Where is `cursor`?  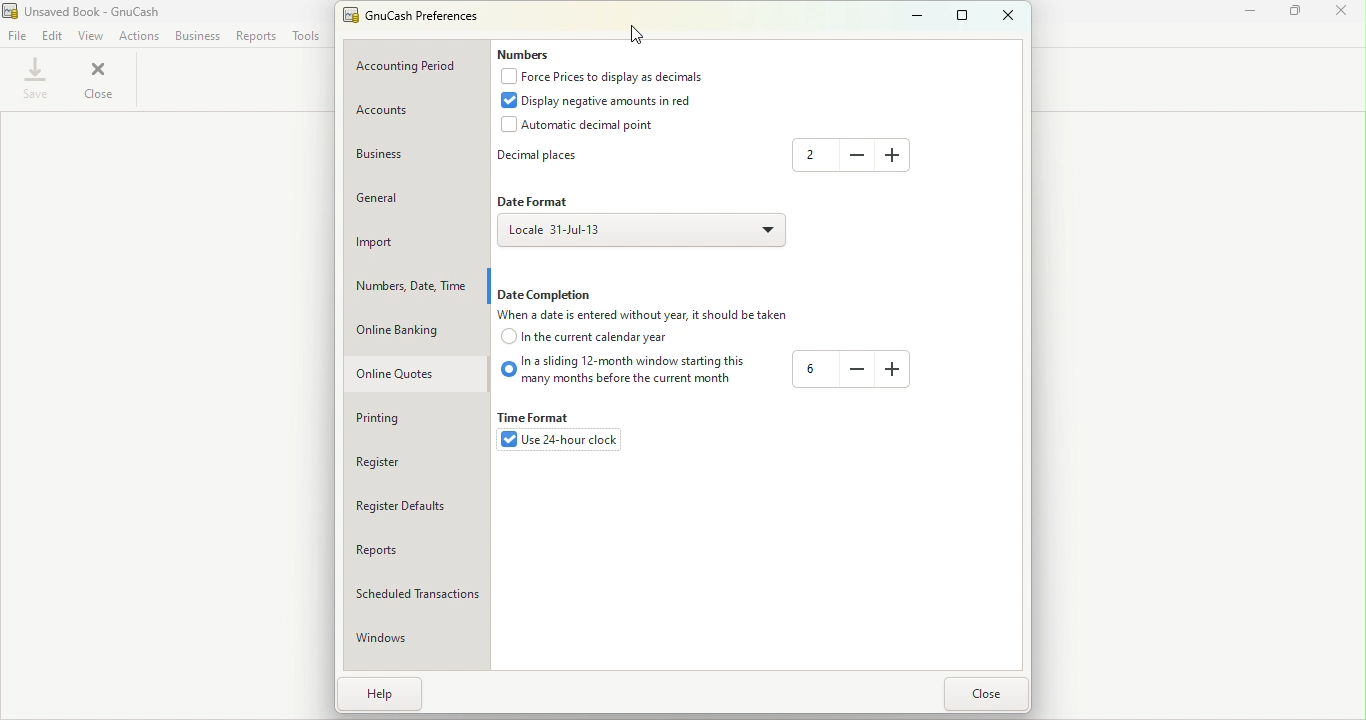 cursor is located at coordinates (635, 30).